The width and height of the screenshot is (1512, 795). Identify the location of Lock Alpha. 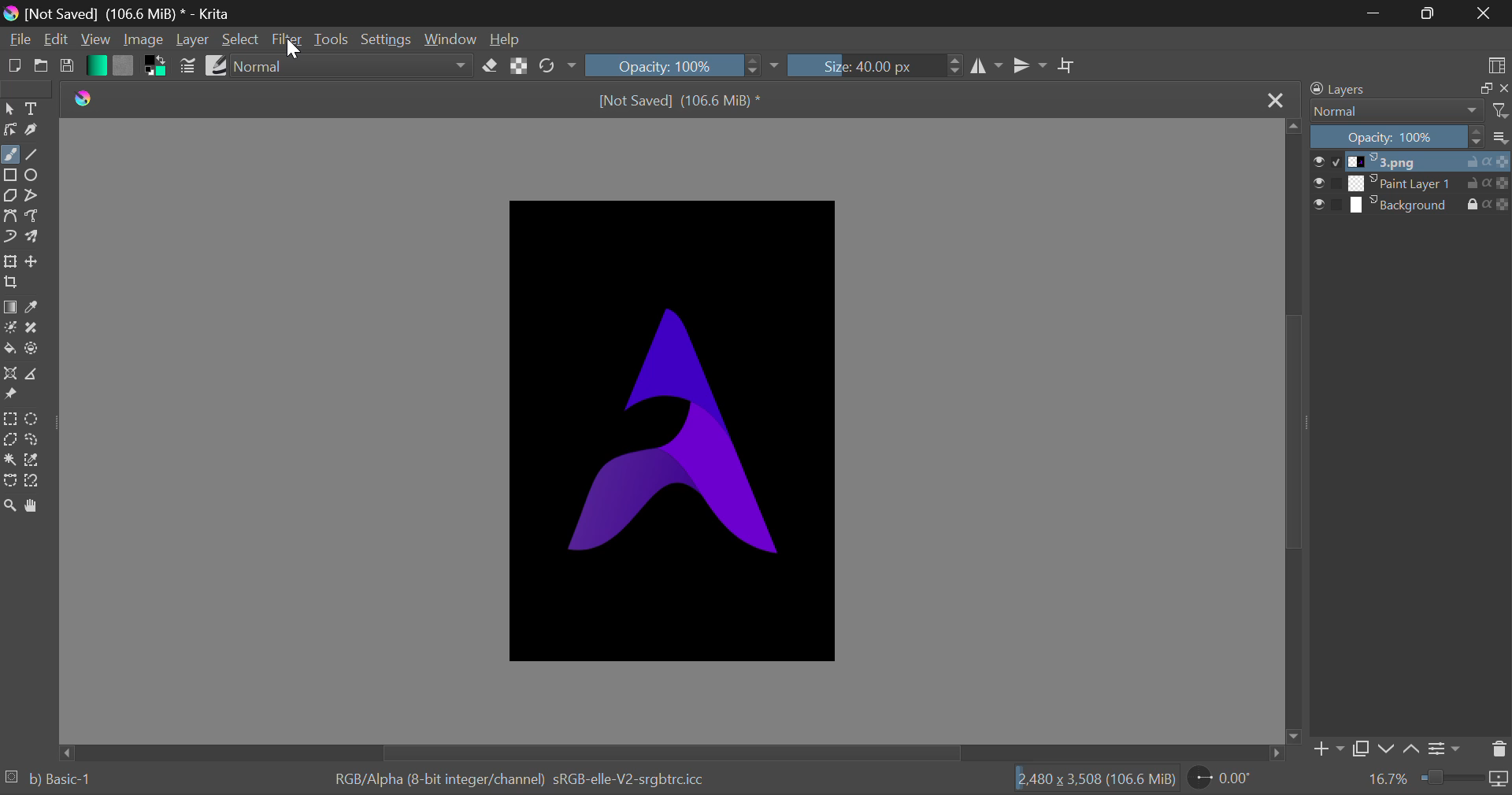
(519, 66).